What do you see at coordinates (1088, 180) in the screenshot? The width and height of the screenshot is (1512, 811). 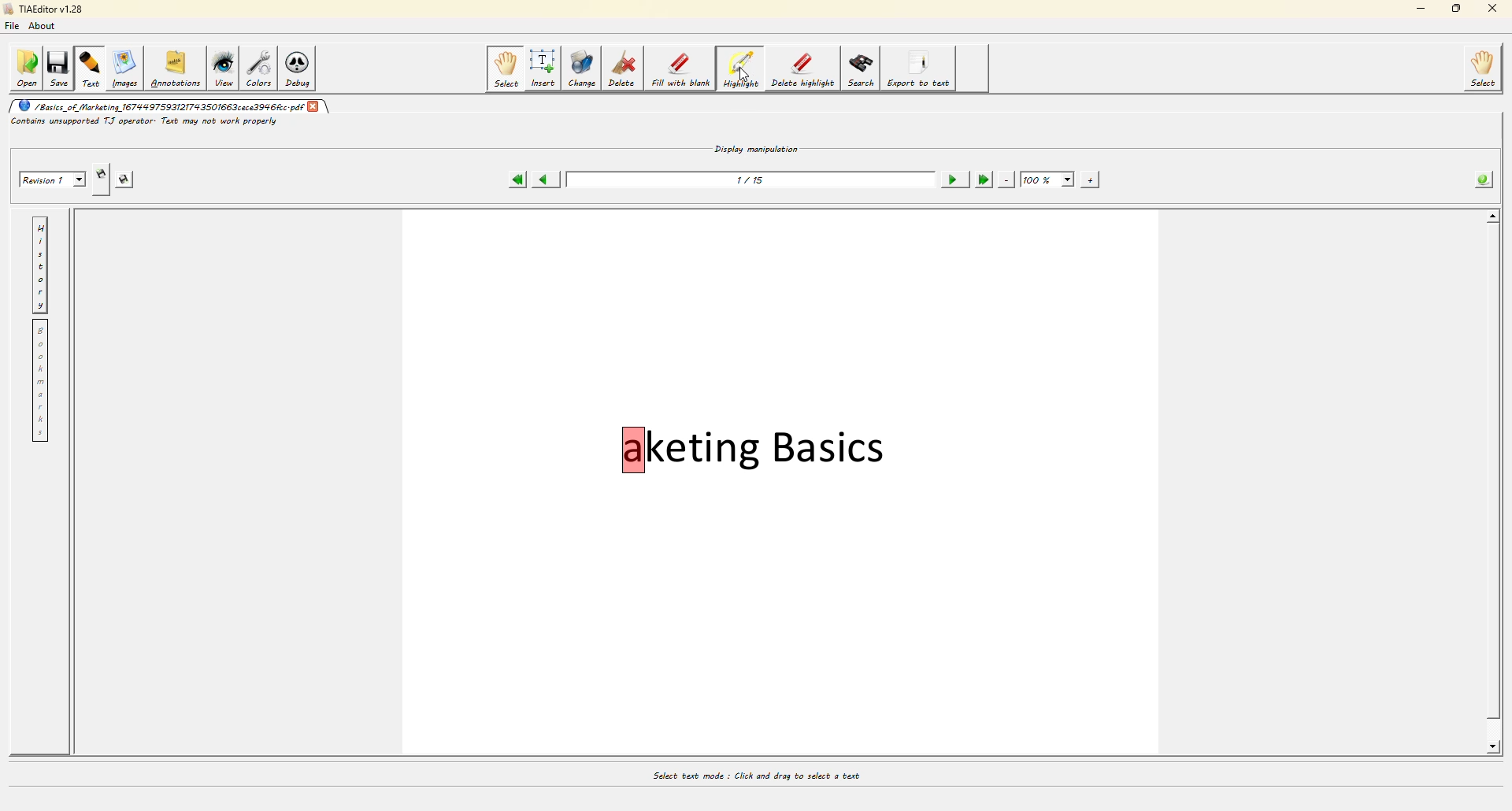 I see `zoom in` at bounding box center [1088, 180].